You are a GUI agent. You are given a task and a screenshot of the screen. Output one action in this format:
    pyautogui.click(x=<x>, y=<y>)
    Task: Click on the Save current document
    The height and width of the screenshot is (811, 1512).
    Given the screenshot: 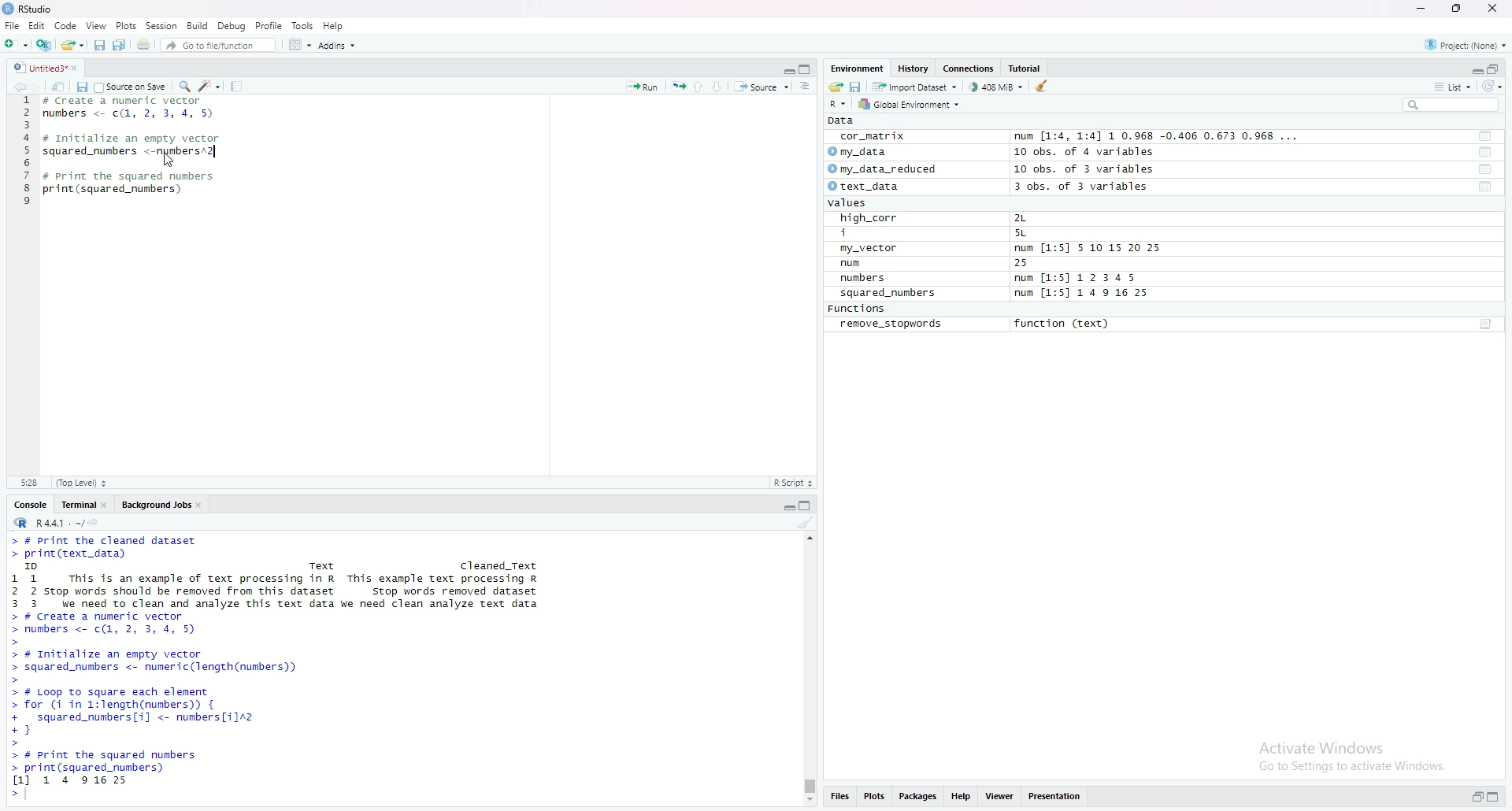 What is the action you would take?
    pyautogui.click(x=99, y=43)
    